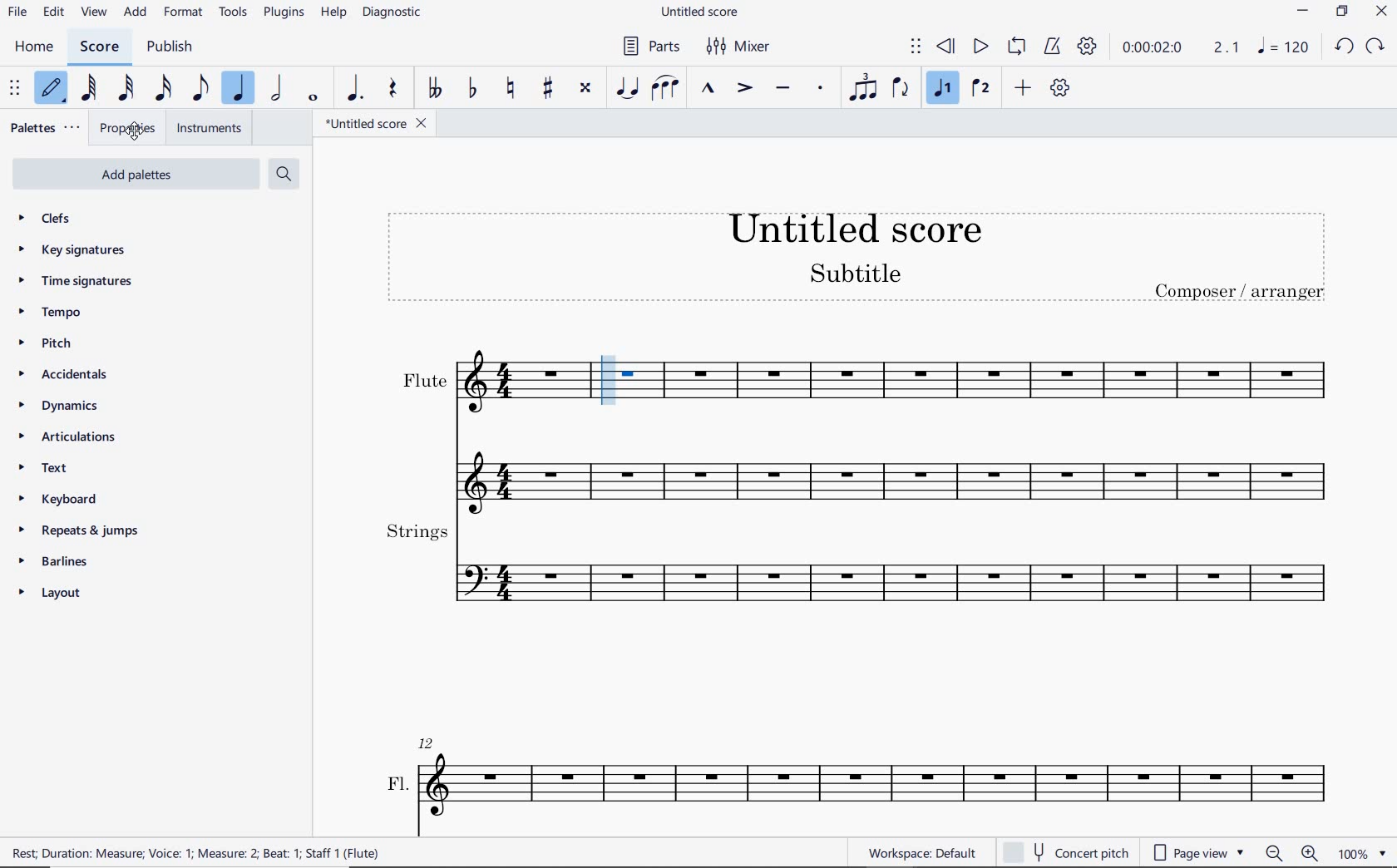  Describe the element at coordinates (1284, 50) in the screenshot. I see `note` at that location.